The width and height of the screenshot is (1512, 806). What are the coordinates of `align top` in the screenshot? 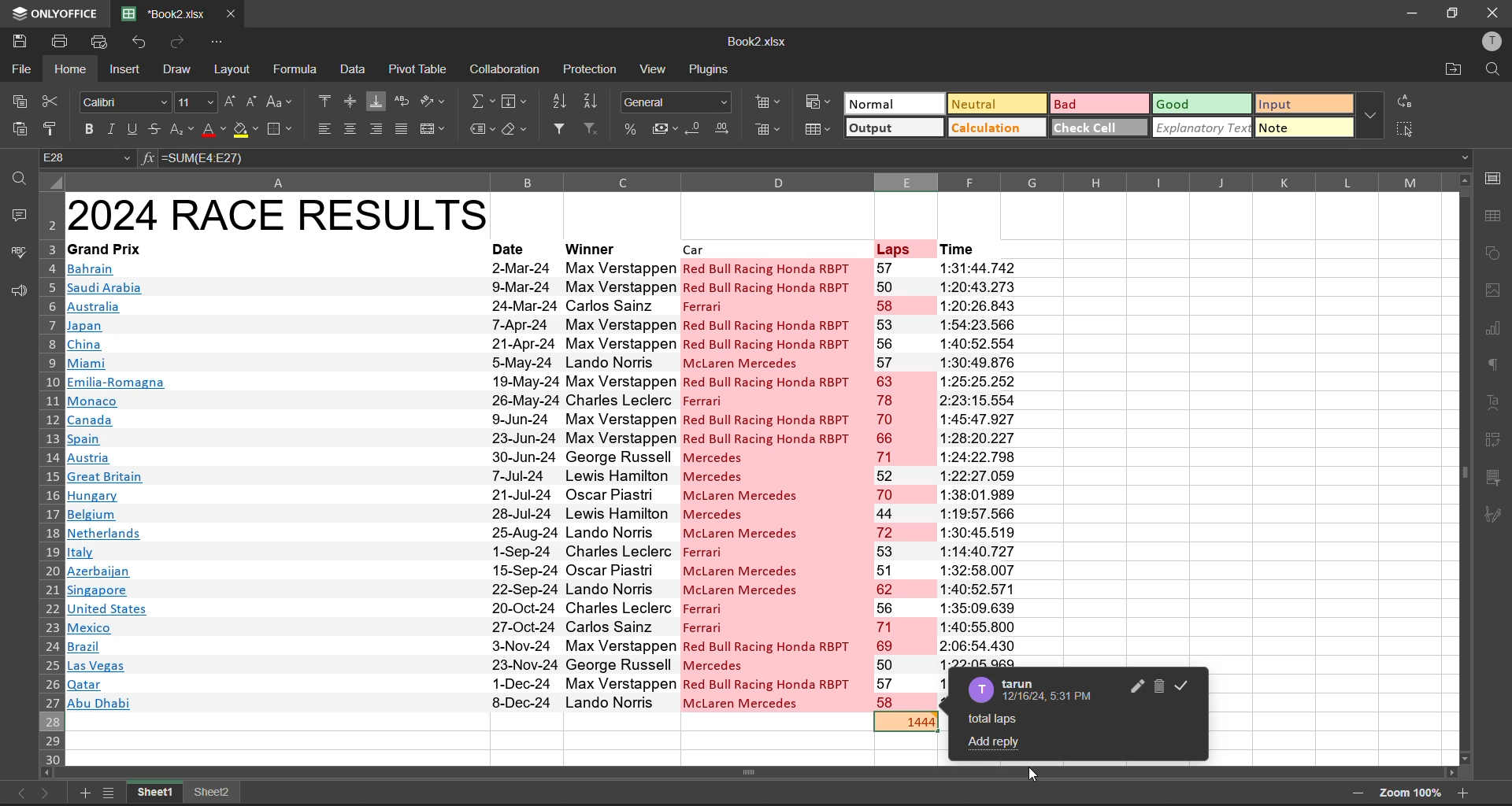 It's located at (324, 100).